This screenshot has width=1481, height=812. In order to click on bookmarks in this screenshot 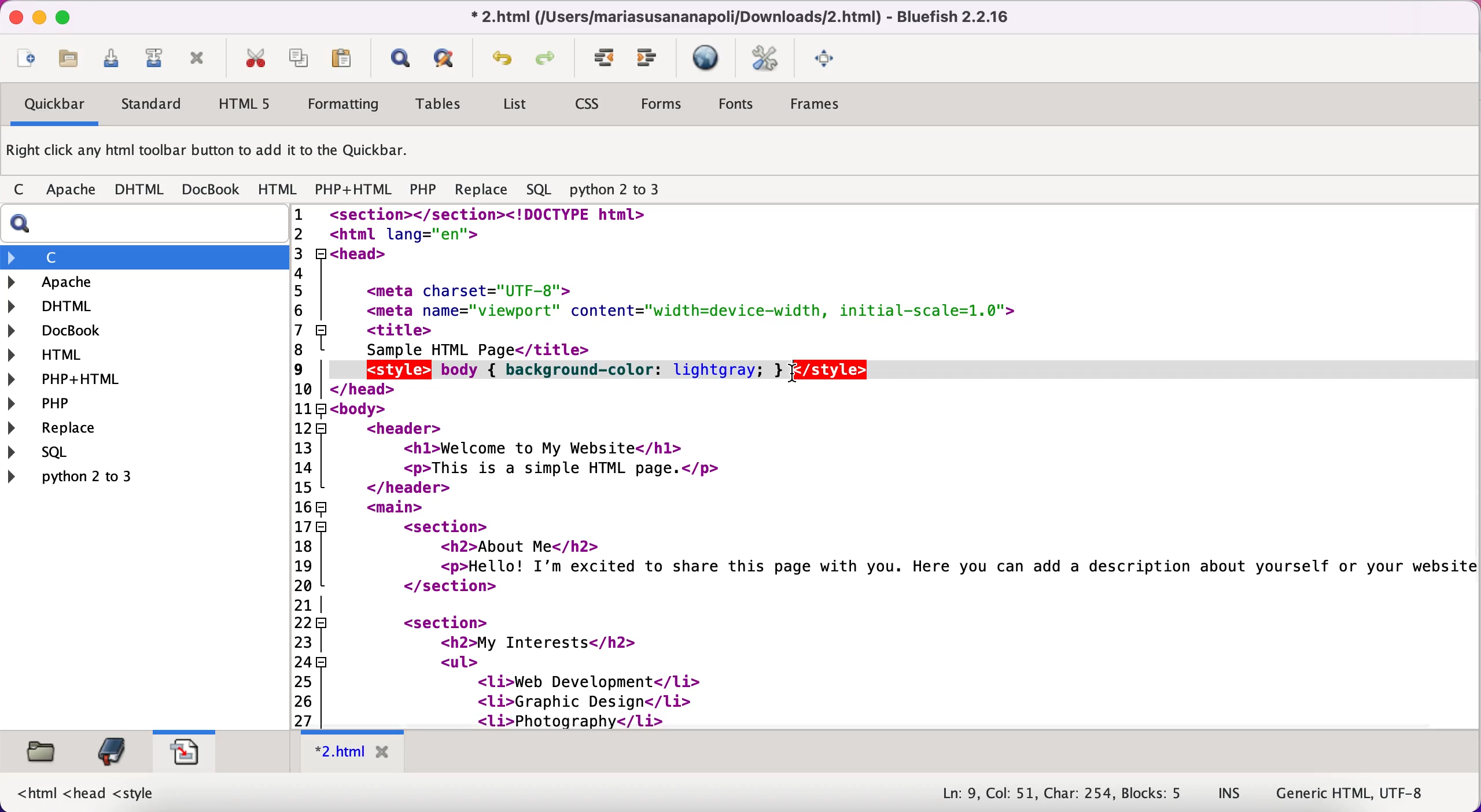, I will do `click(111, 751)`.